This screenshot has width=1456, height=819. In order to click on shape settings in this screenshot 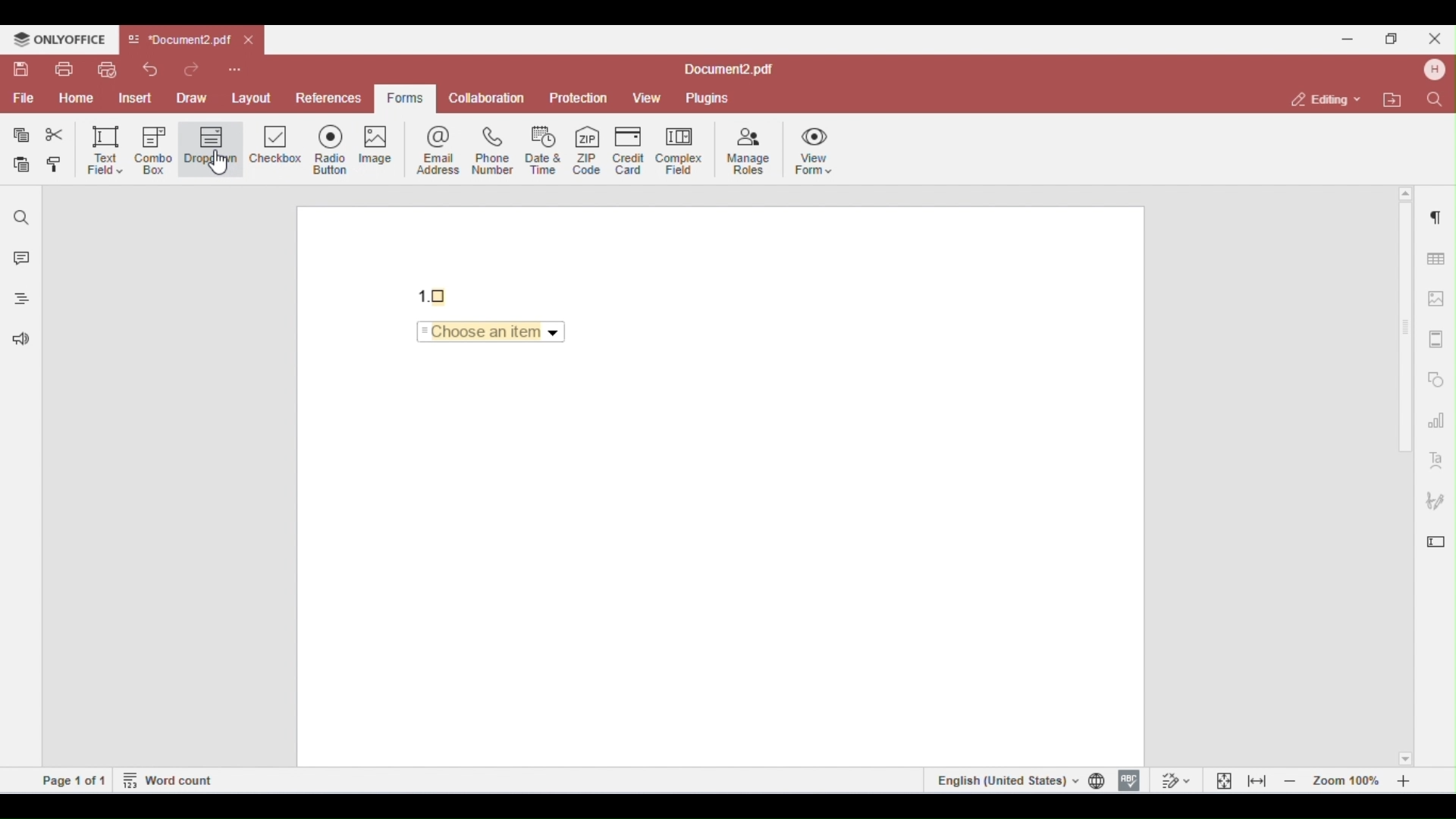, I will do `click(1436, 376)`.